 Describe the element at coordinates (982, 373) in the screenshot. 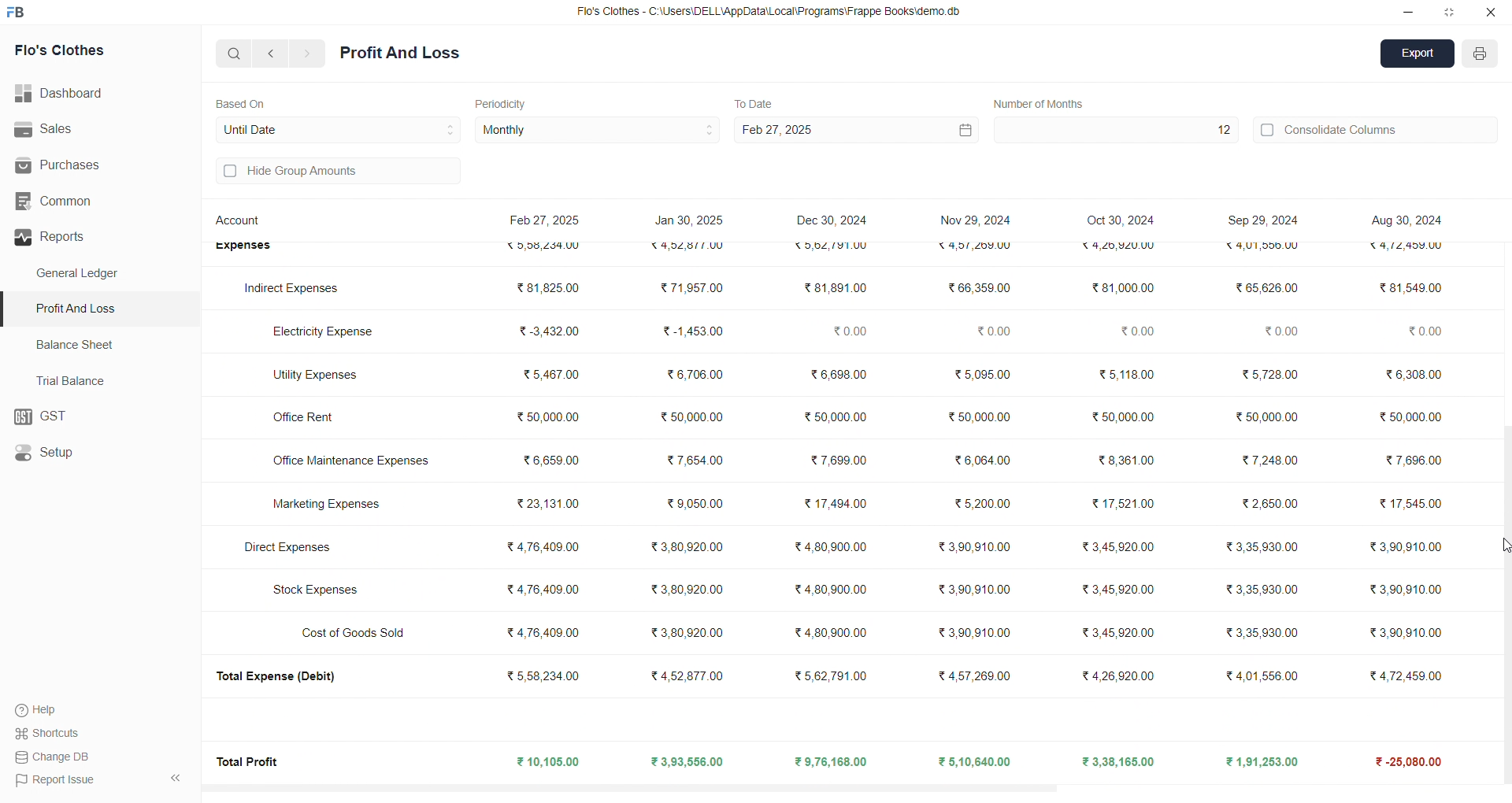

I see `₹5,095.00` at that location.